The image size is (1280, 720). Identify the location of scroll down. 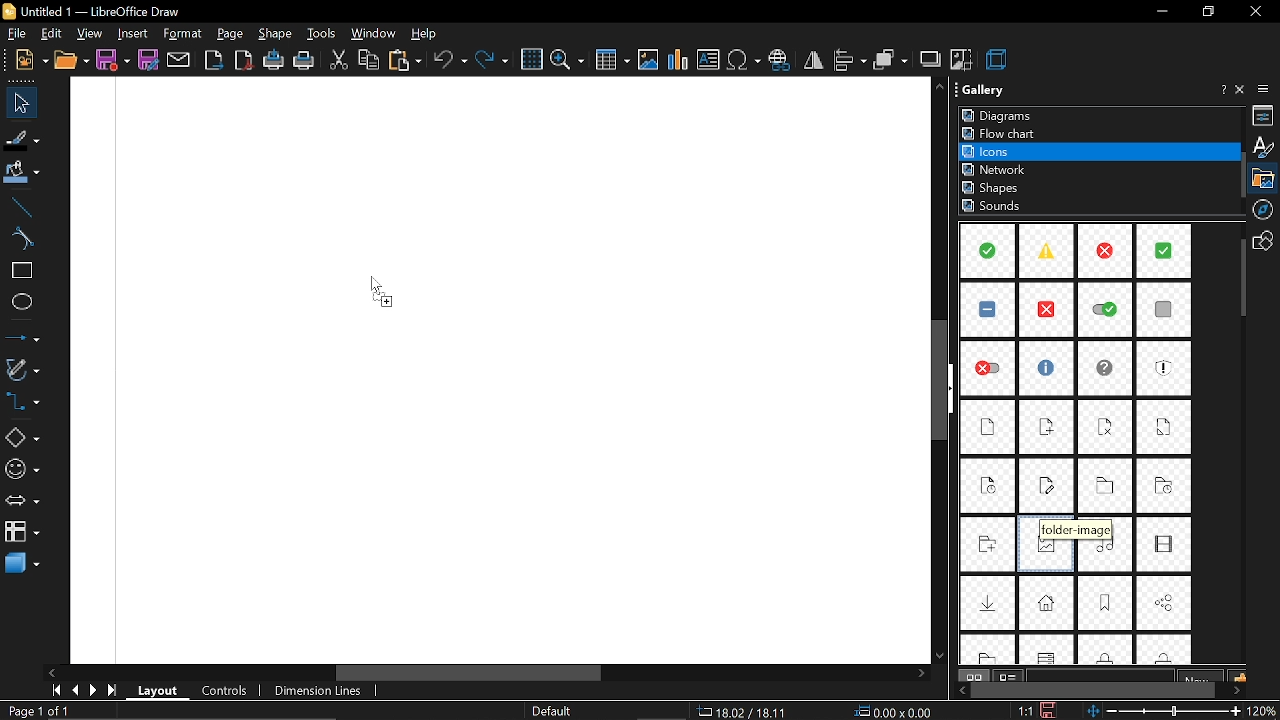
(941, 655).